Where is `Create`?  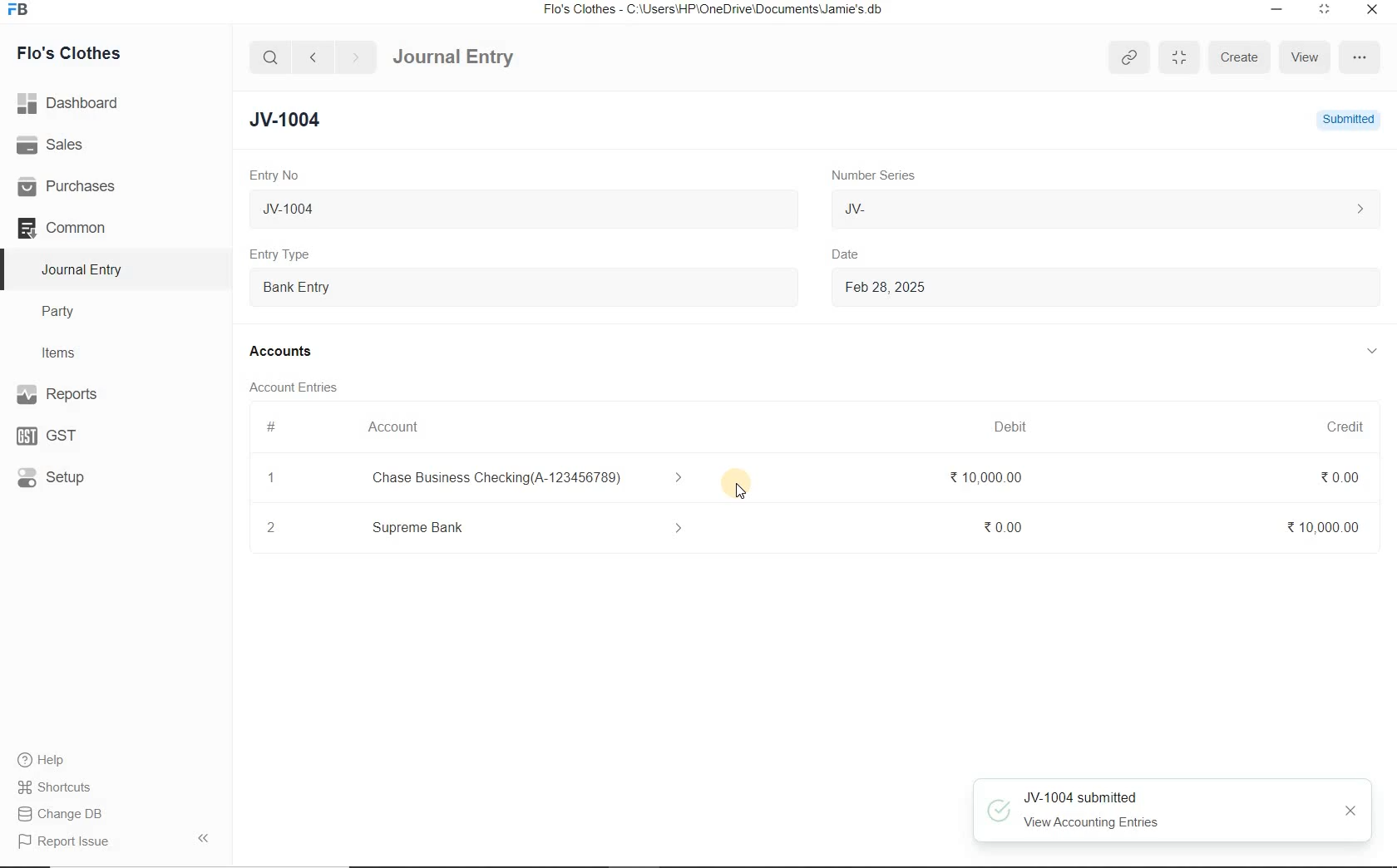 Create is located at coordinates (1236, 57).